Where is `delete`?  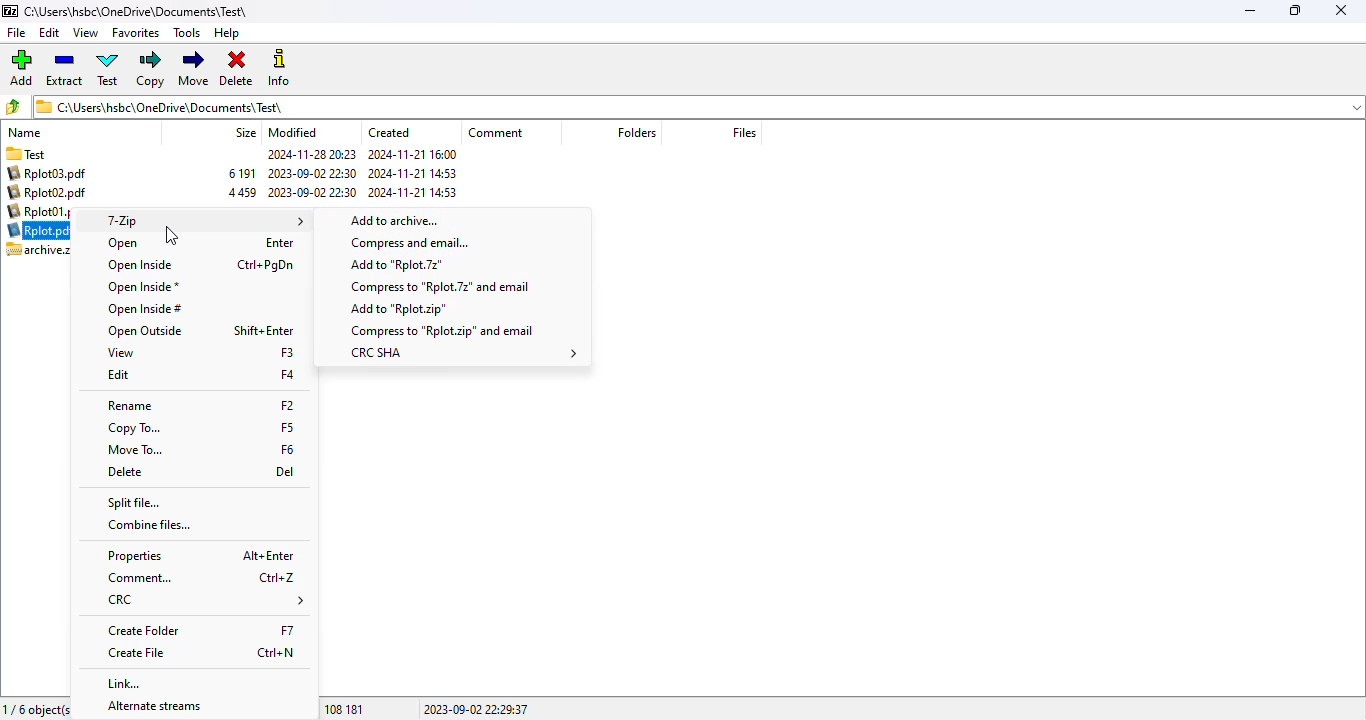
delete is located at coordinates (236, 69).